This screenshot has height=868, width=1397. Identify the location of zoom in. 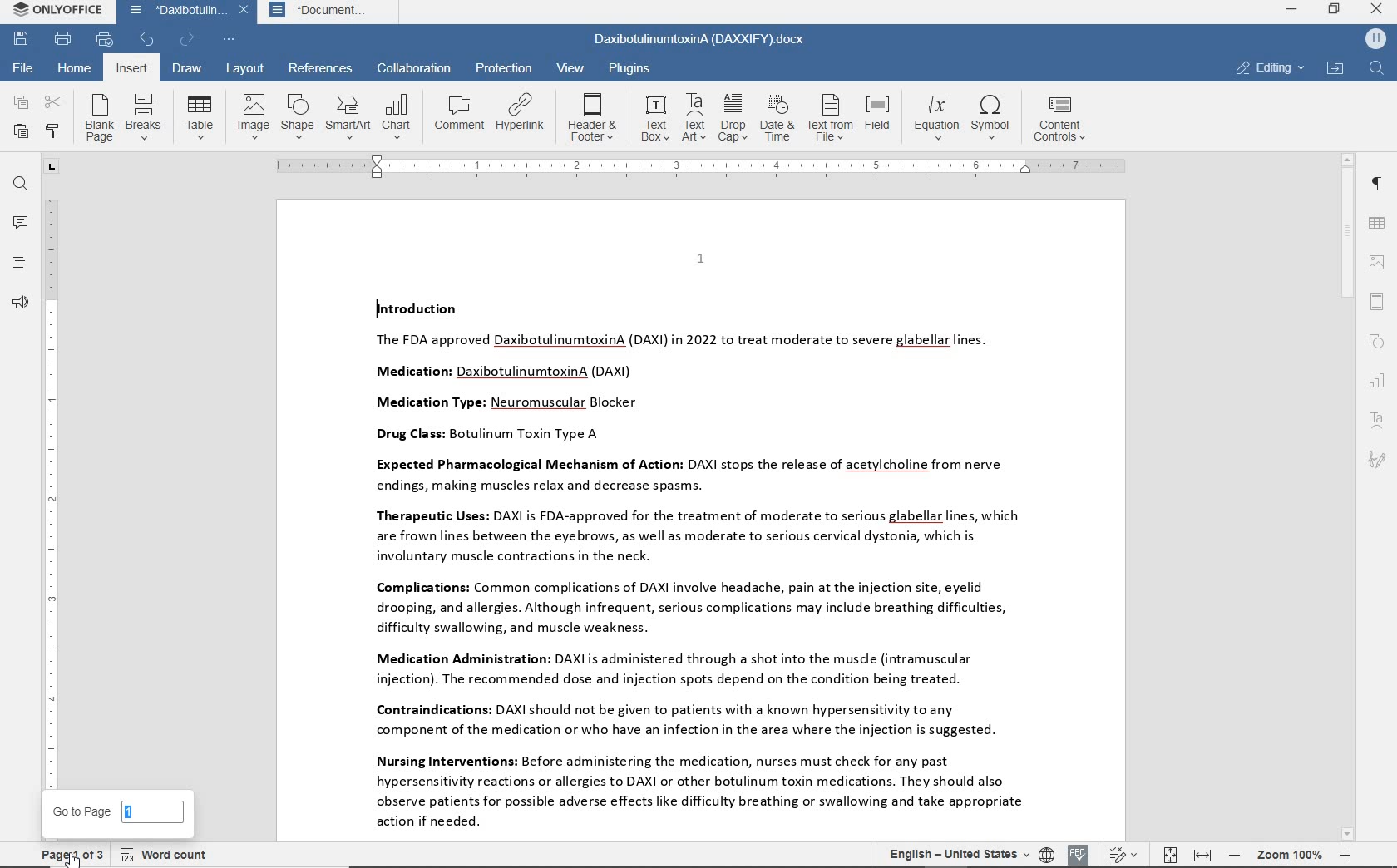
(1344, 855).